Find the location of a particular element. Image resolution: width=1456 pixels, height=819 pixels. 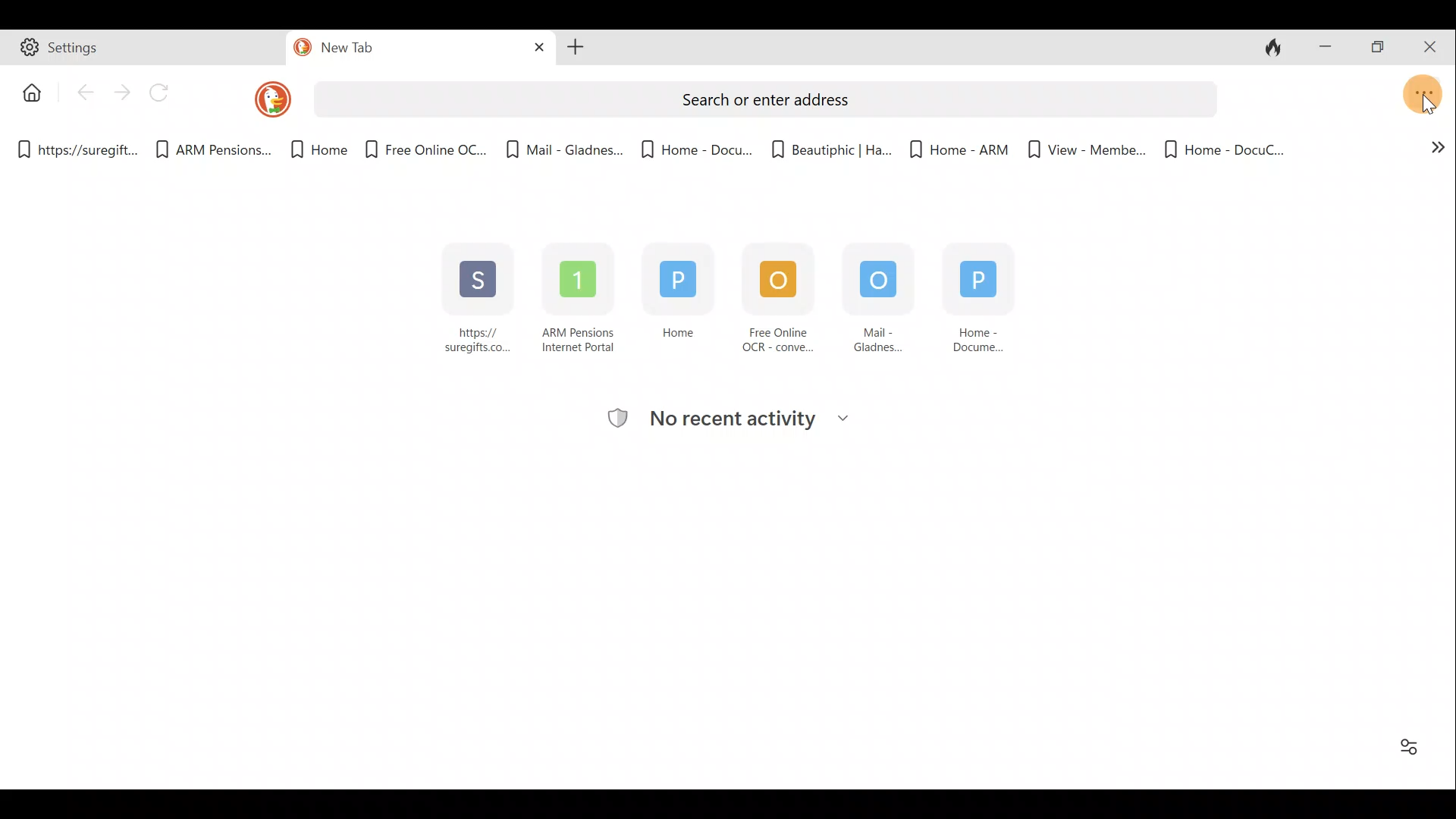

Bookmark 2 is located at coordinates (215, 147).